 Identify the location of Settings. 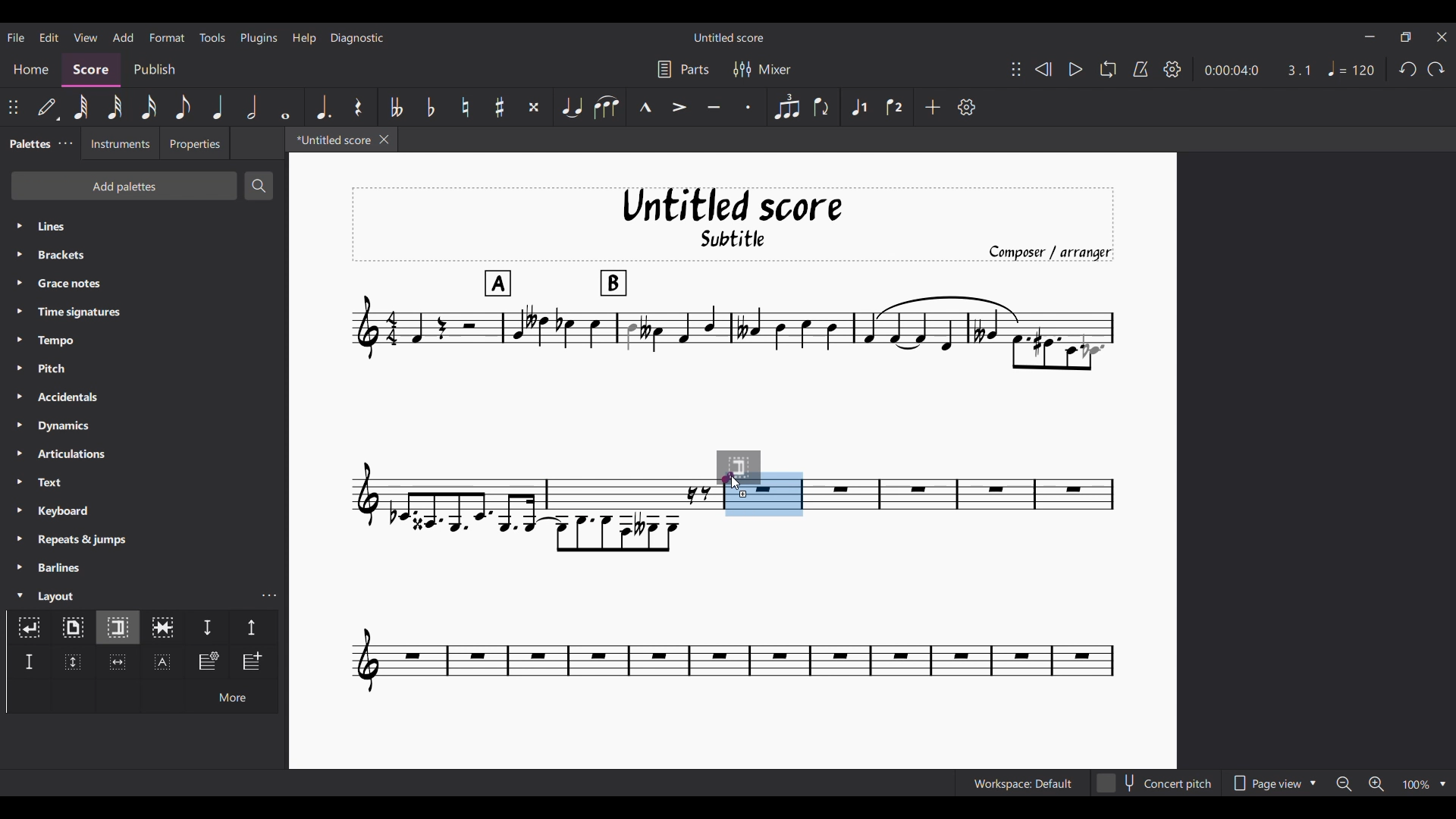
(1172, 69).